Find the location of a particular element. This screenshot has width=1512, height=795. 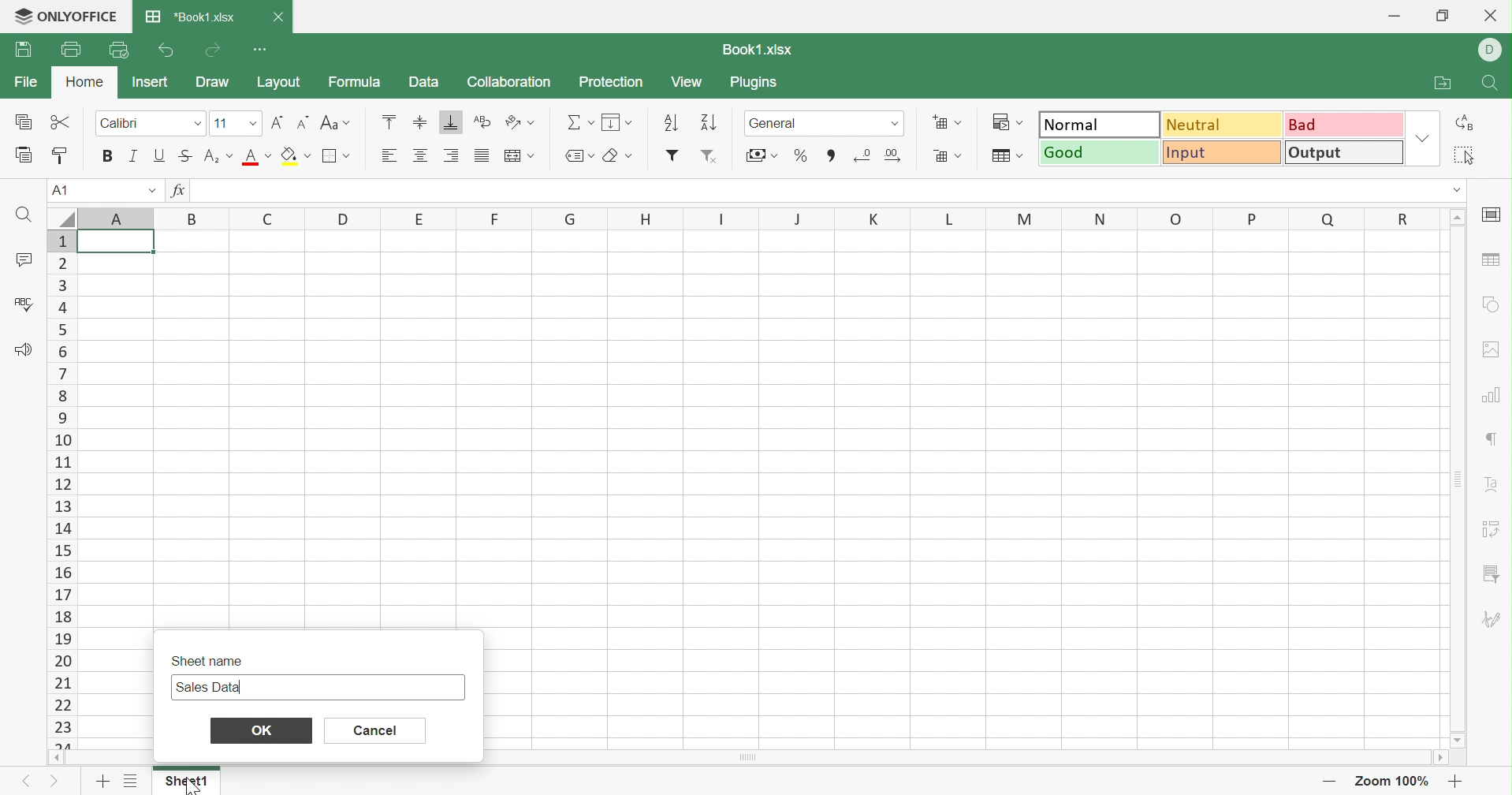

Redo is located at coordinates (213, 50).